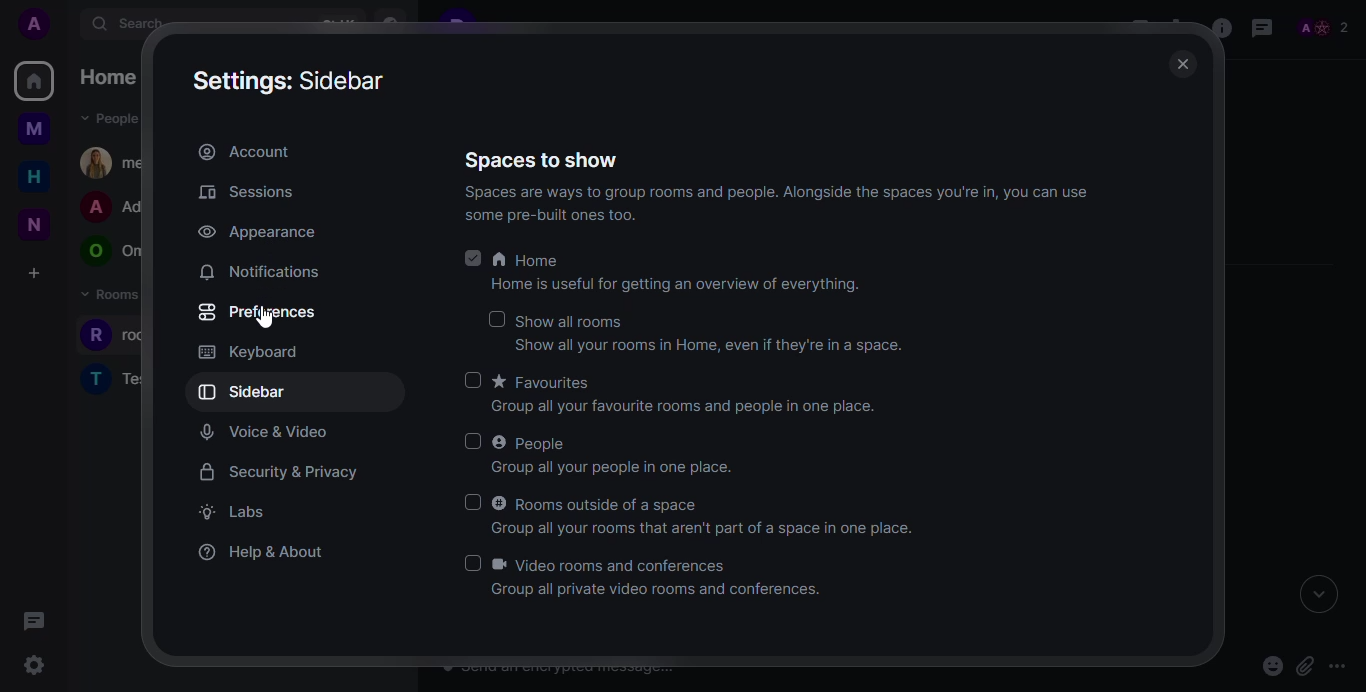  I want to click on Home, so click(527, 261).